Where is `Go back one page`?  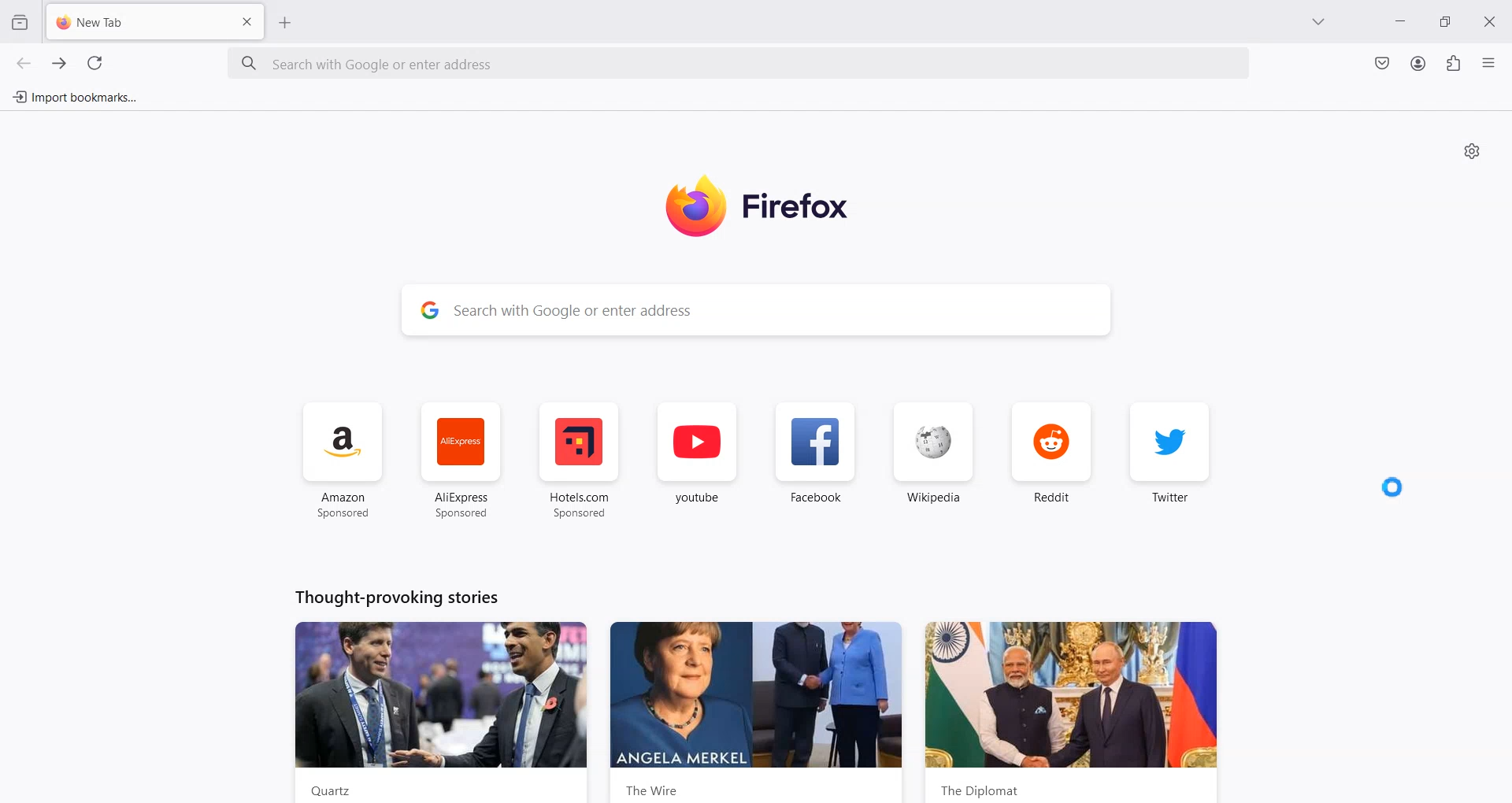
Go back one page is located at coordinates (24, 63).